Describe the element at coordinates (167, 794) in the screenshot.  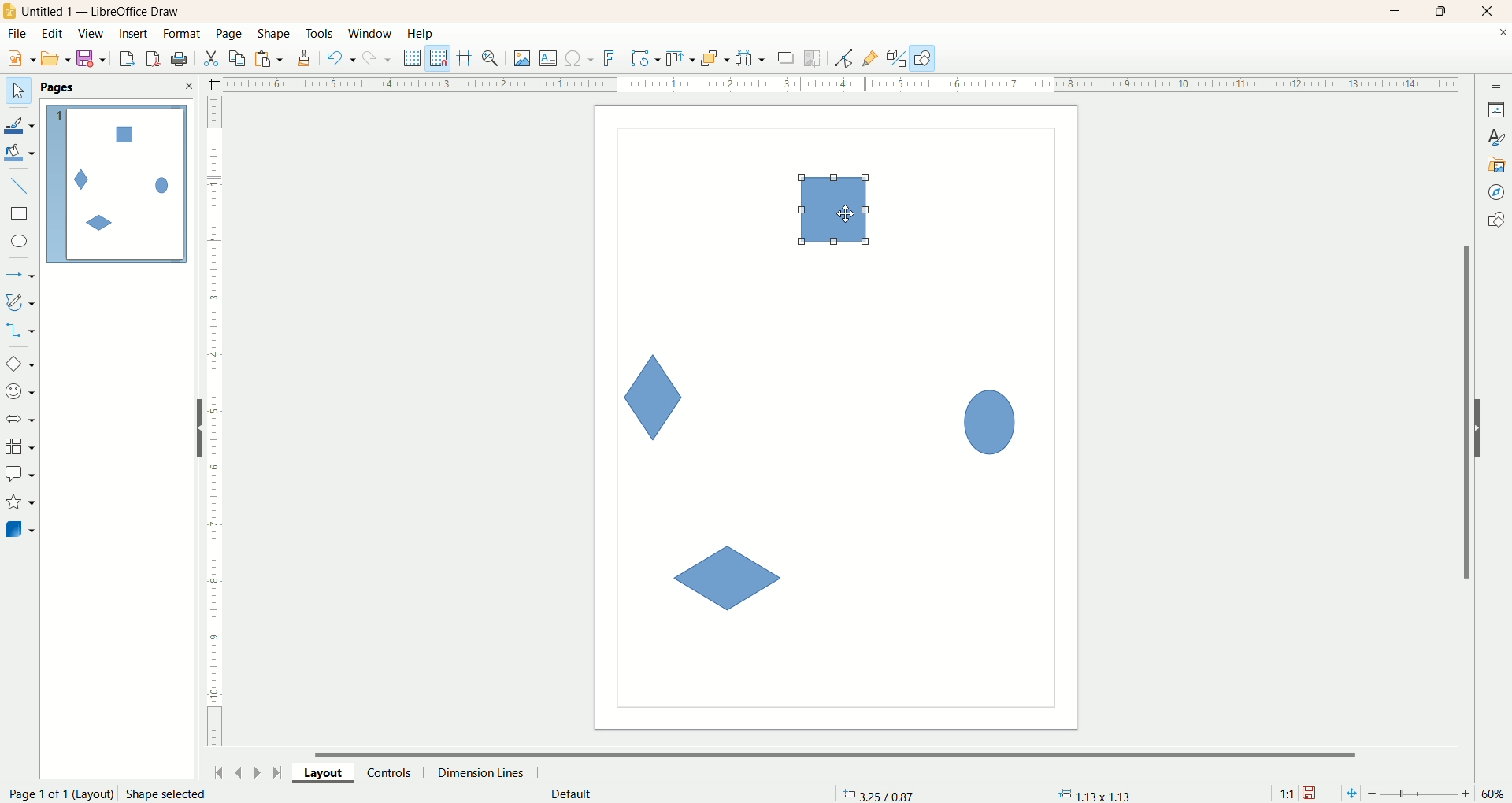
I see `Shape selected` at that location.